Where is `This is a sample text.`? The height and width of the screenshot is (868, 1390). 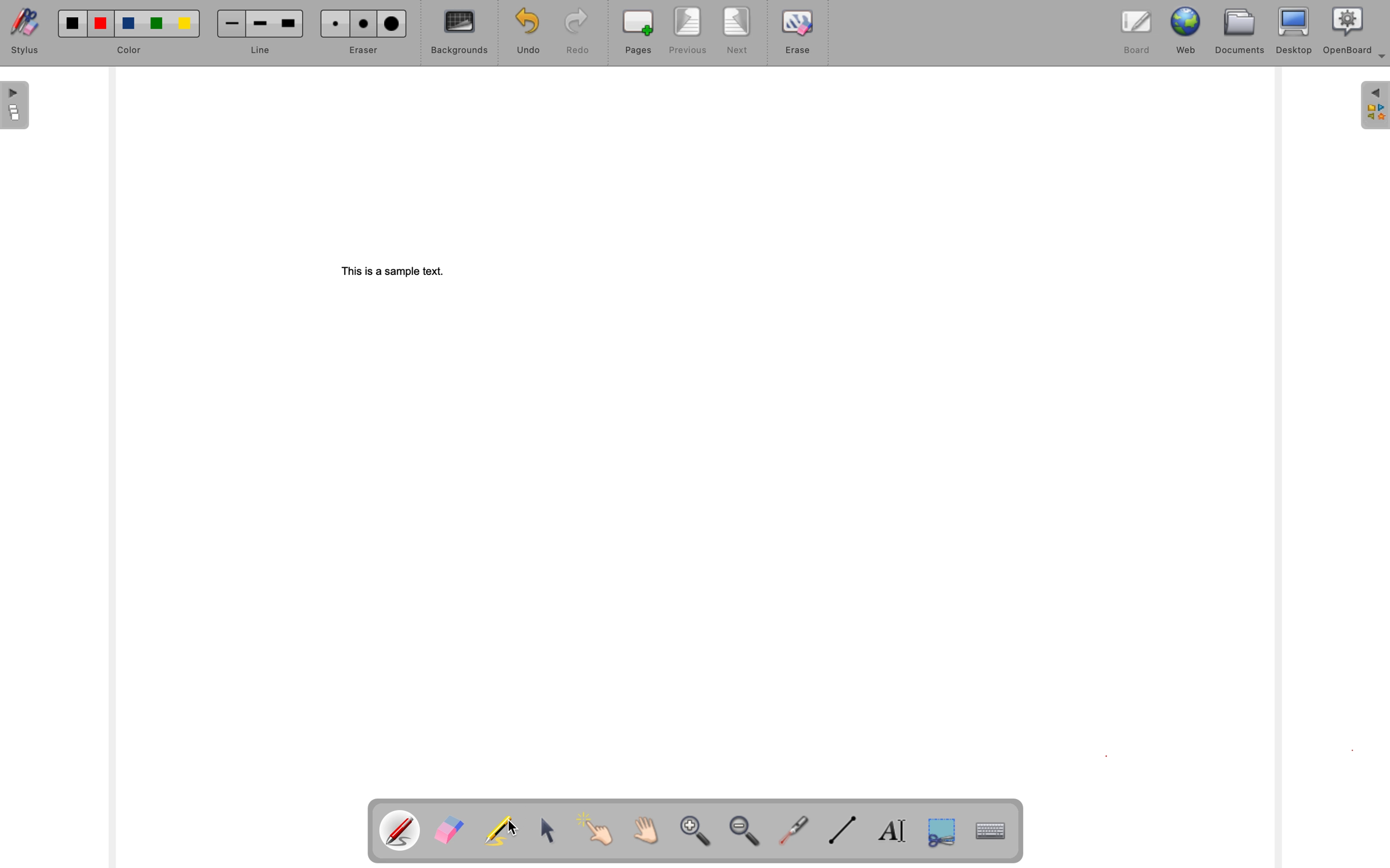 This is a sample text. is located at coordinates (396, 272).